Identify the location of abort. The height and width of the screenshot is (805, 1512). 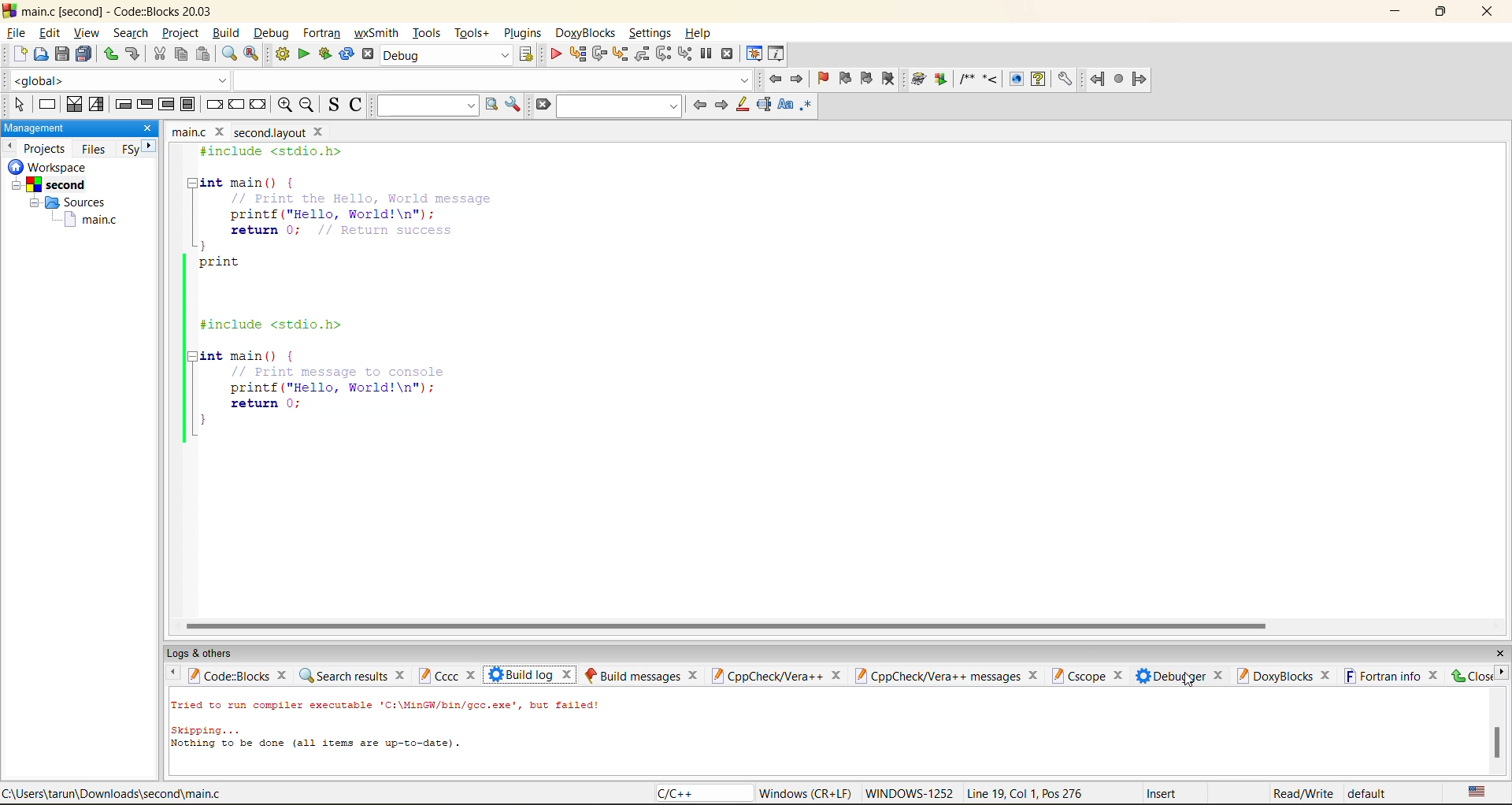
(368, 56).